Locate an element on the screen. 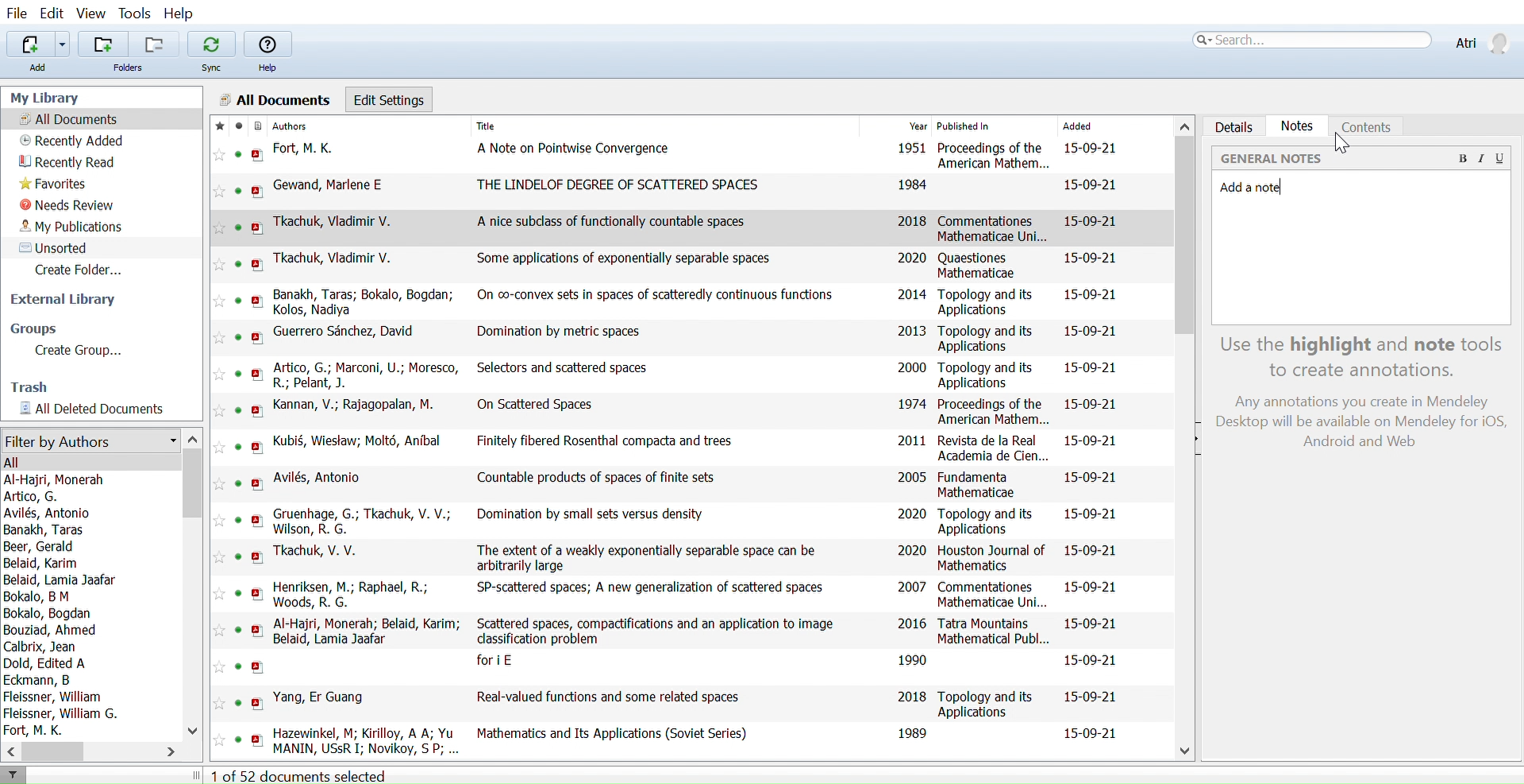 Image resolution: width=1524 pixels, height=784 pixels. Vertical scrollbar for all files is located at coordinates (1183, 233).